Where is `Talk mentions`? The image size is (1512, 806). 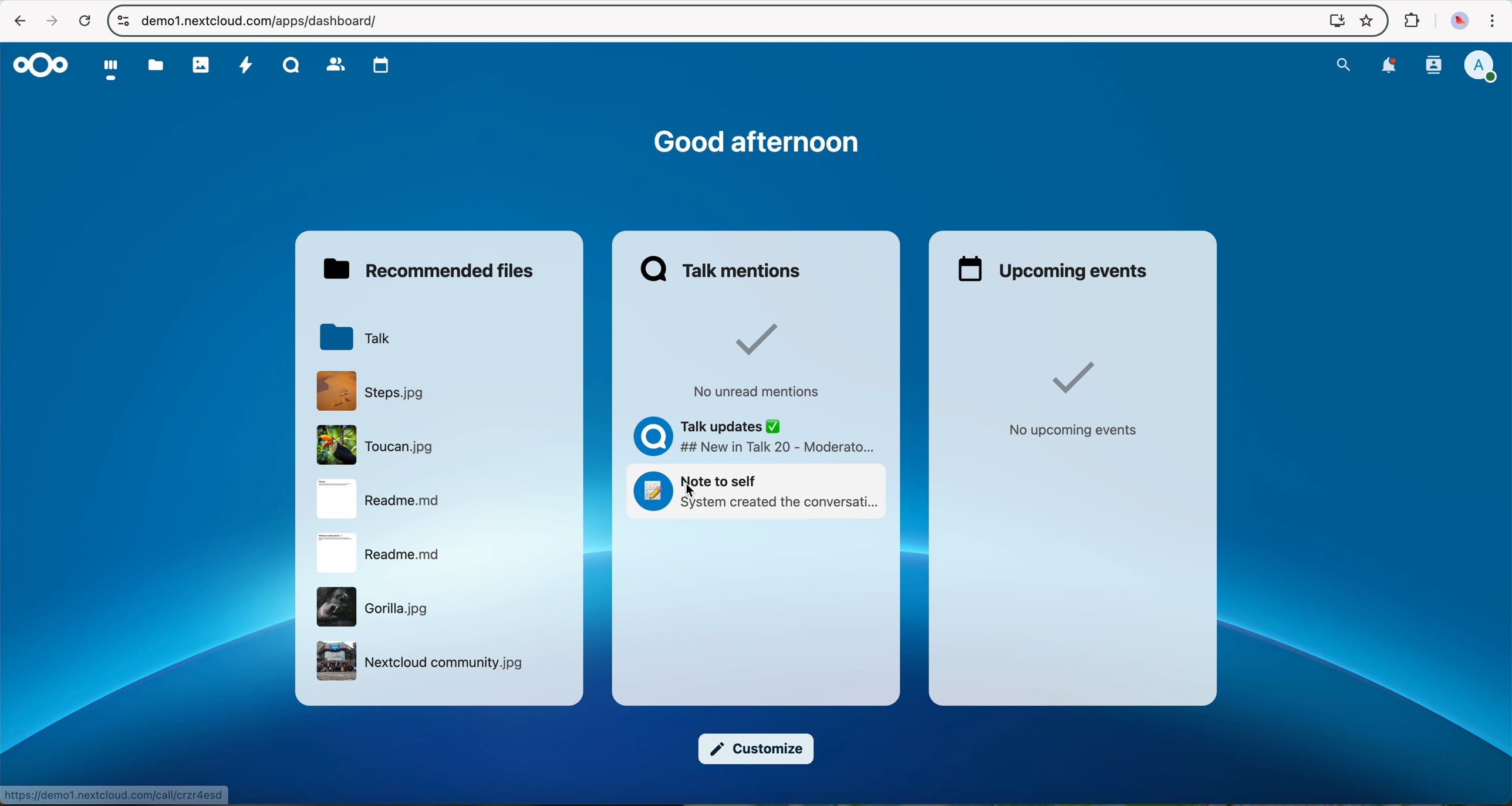
Talk mentions is located at coordinates (722, 269).